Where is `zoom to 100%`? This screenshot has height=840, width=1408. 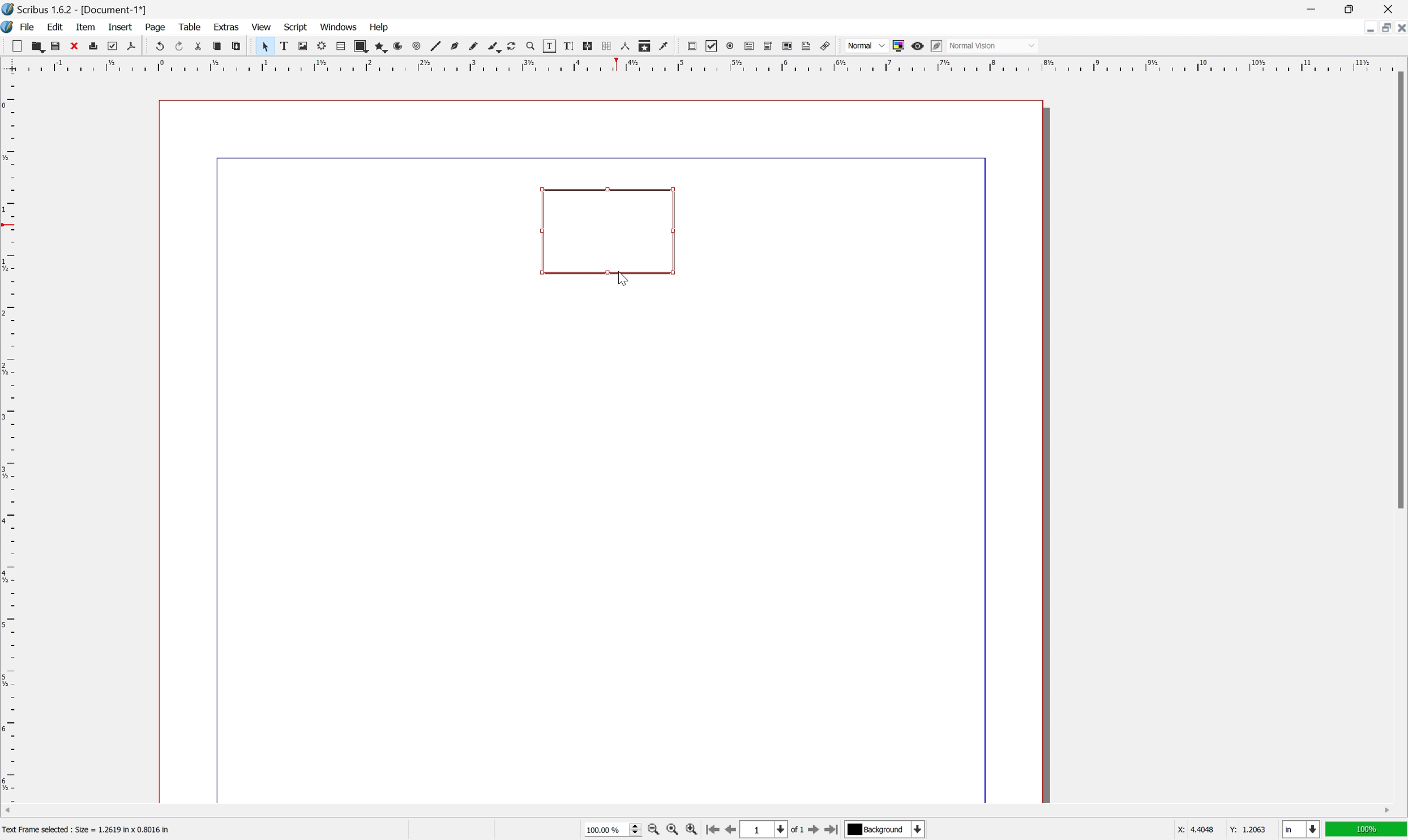 zoom to 100% is located at coordinates (673, 831).